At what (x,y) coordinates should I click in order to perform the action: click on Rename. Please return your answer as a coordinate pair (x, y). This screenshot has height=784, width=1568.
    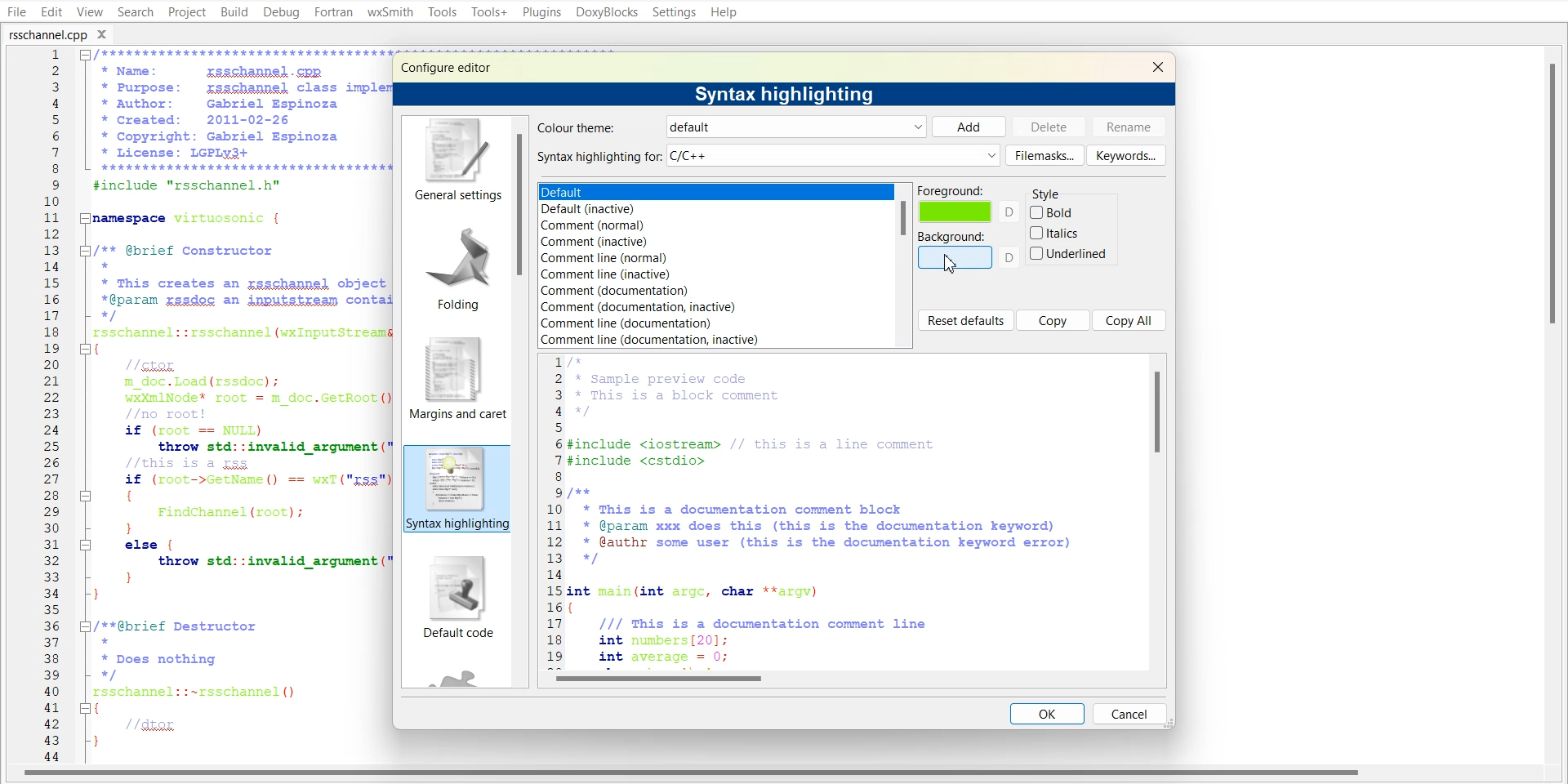
    Looking at the image, I should click on (1129, 127).